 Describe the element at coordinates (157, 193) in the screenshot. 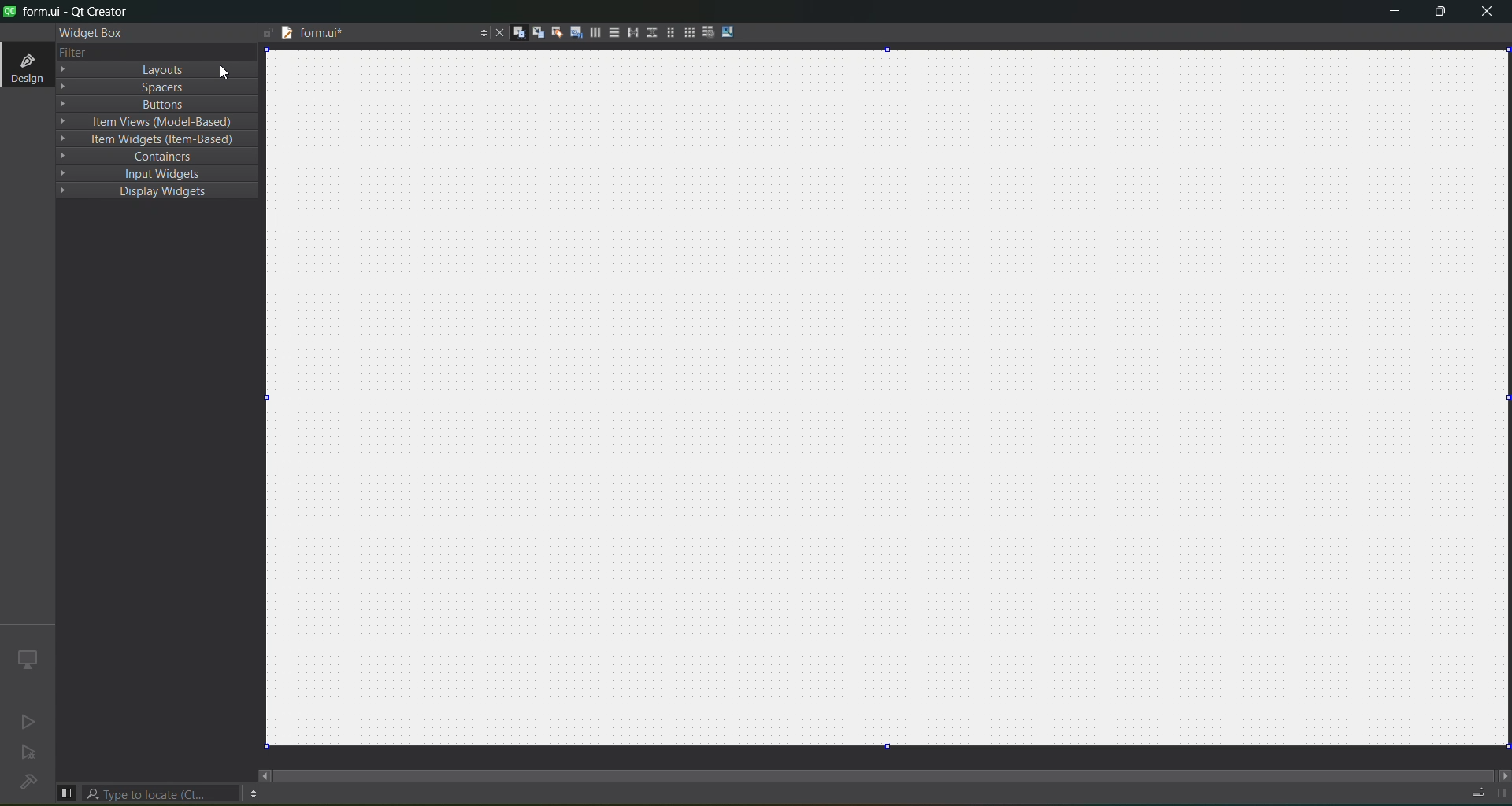

I see `display widgets` at that location.